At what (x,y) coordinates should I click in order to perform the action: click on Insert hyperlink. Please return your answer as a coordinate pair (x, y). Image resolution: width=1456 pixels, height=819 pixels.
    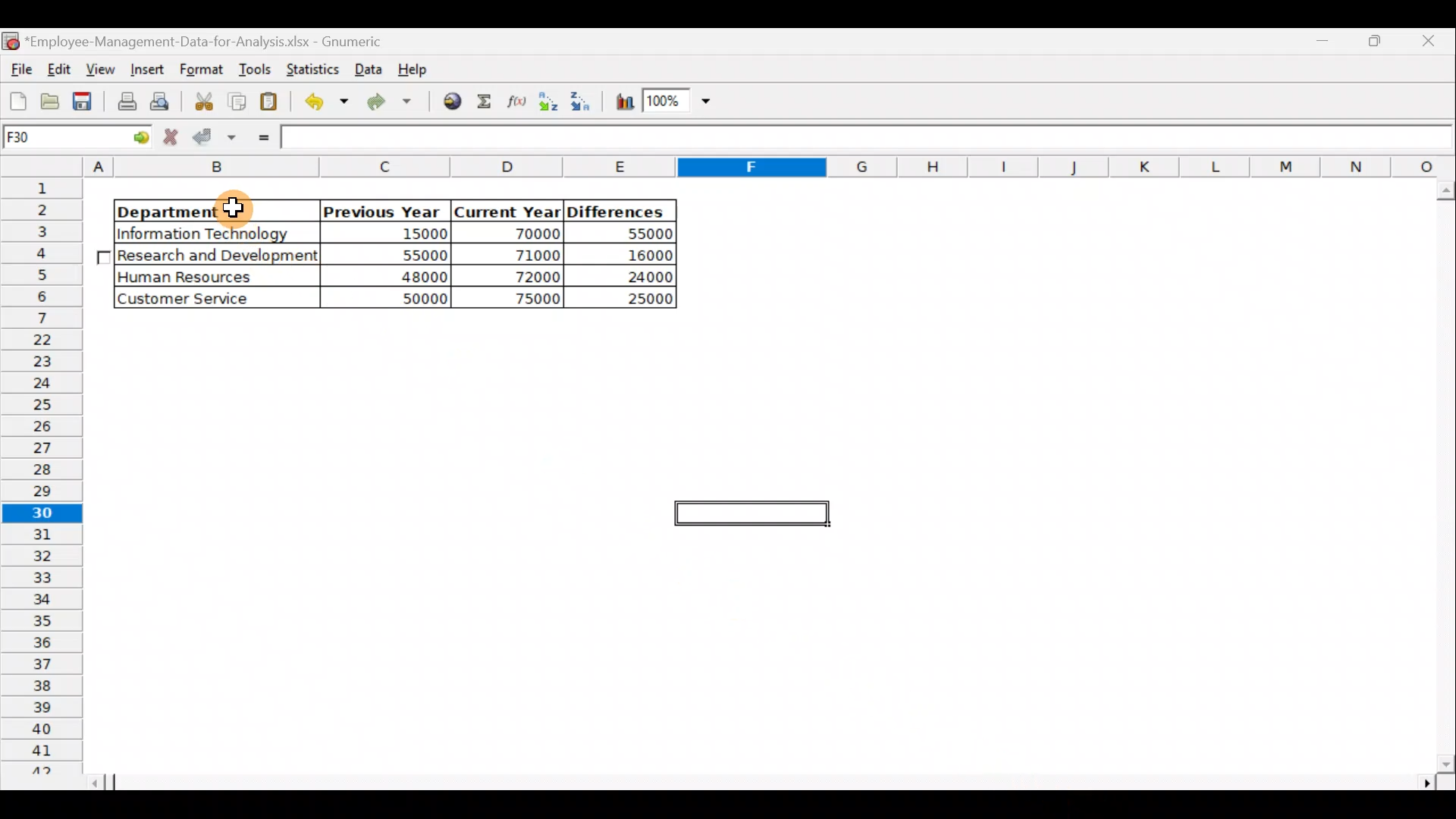
    Looking at the image, I should click on (453, 102).